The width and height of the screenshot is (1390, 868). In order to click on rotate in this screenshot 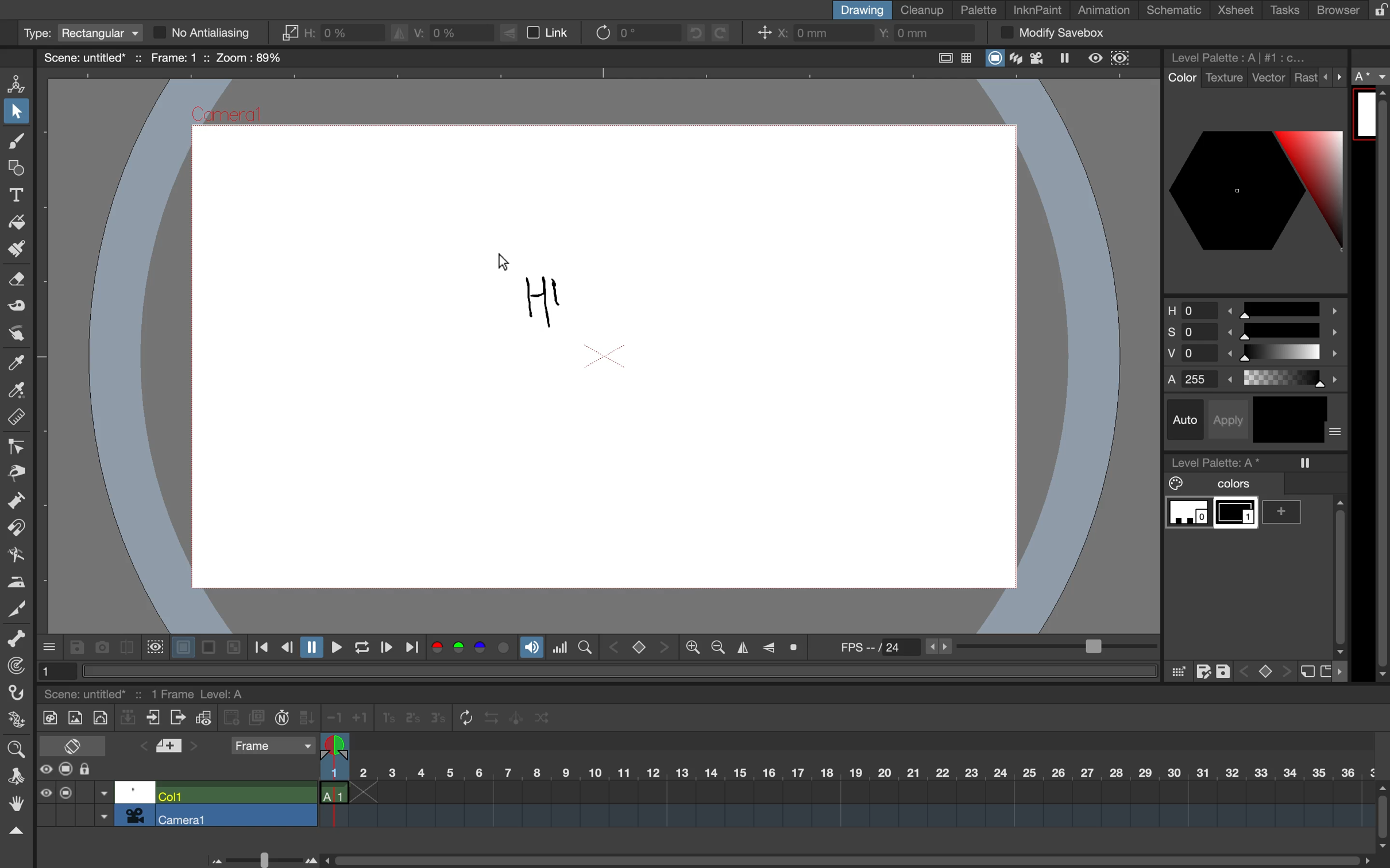, I will do `click(628, 32)`.